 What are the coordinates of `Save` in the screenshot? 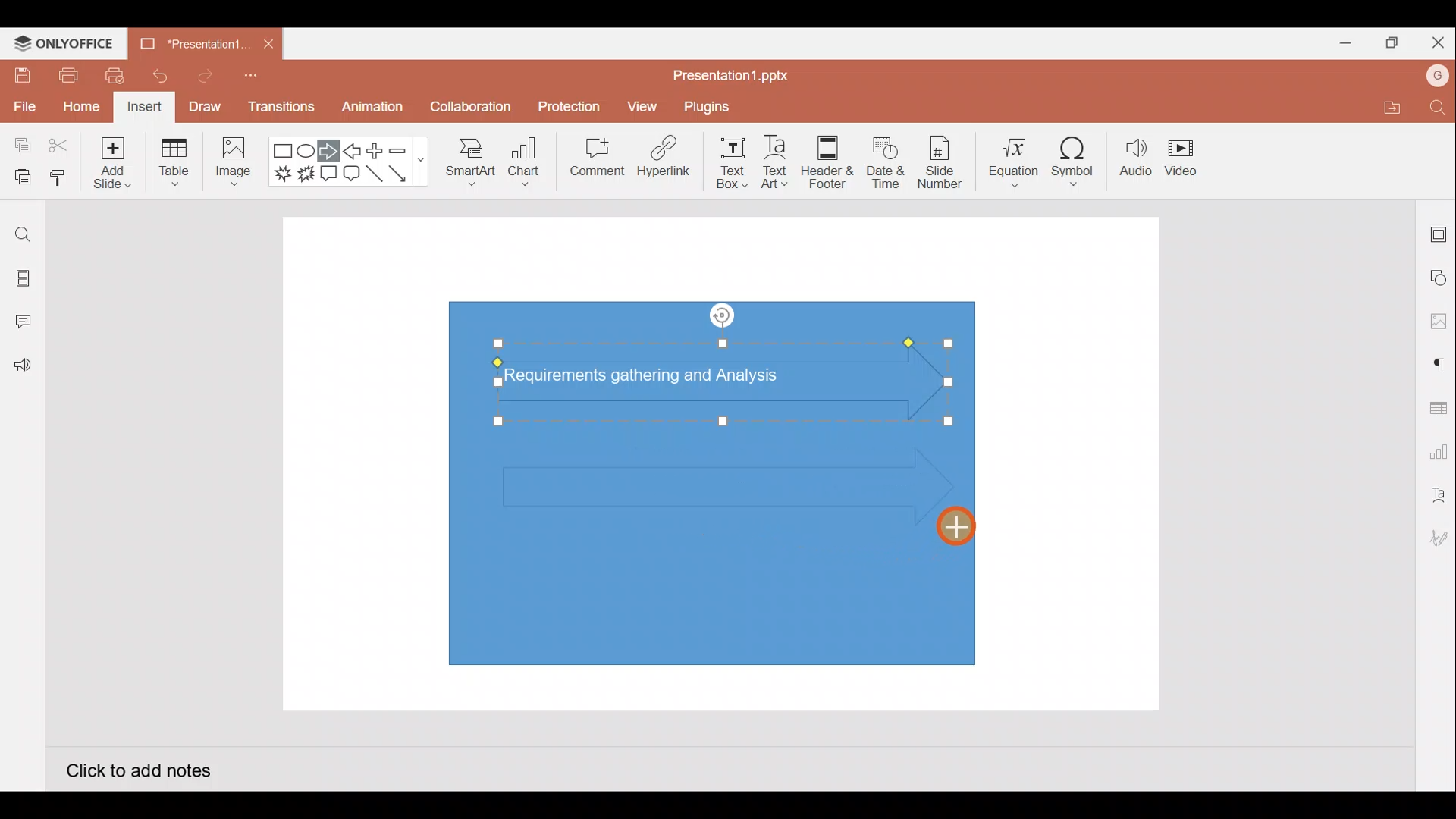 It's located at (20, 74).